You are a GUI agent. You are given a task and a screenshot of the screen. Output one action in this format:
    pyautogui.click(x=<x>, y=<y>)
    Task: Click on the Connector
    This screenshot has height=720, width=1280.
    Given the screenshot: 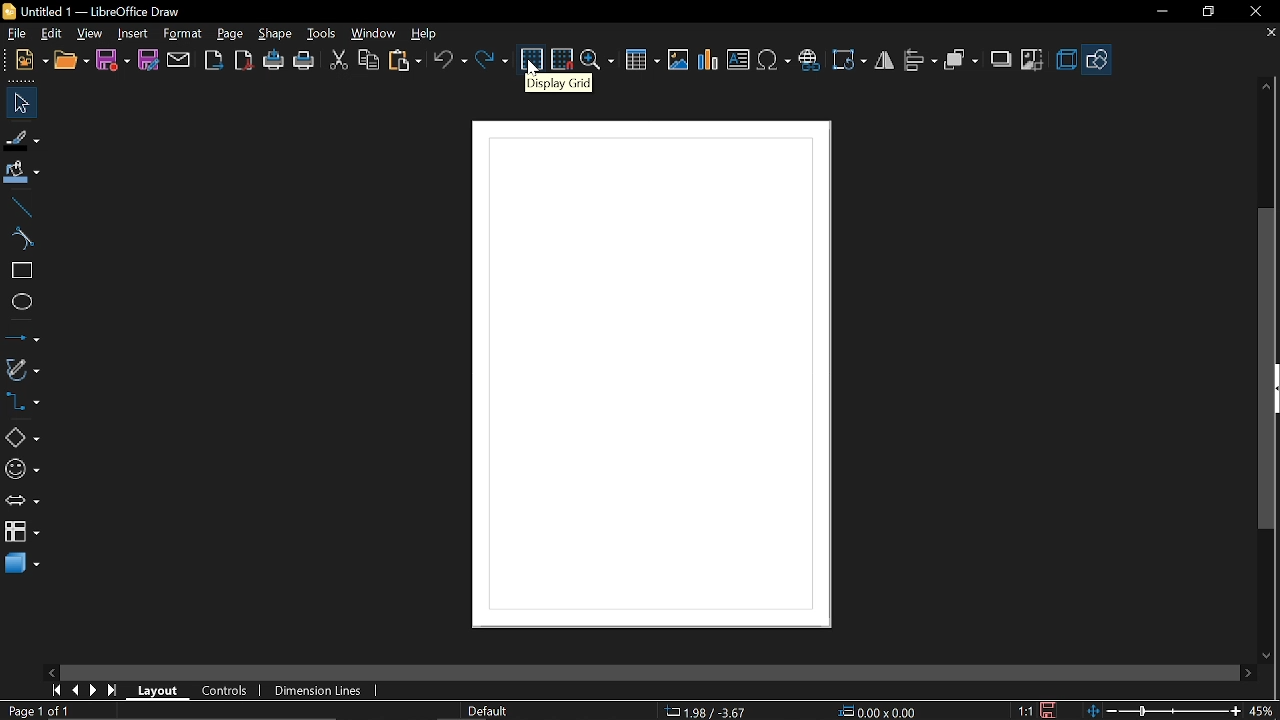 What is the action you would take?
    pyautogui.click(x=22, y=403)
    